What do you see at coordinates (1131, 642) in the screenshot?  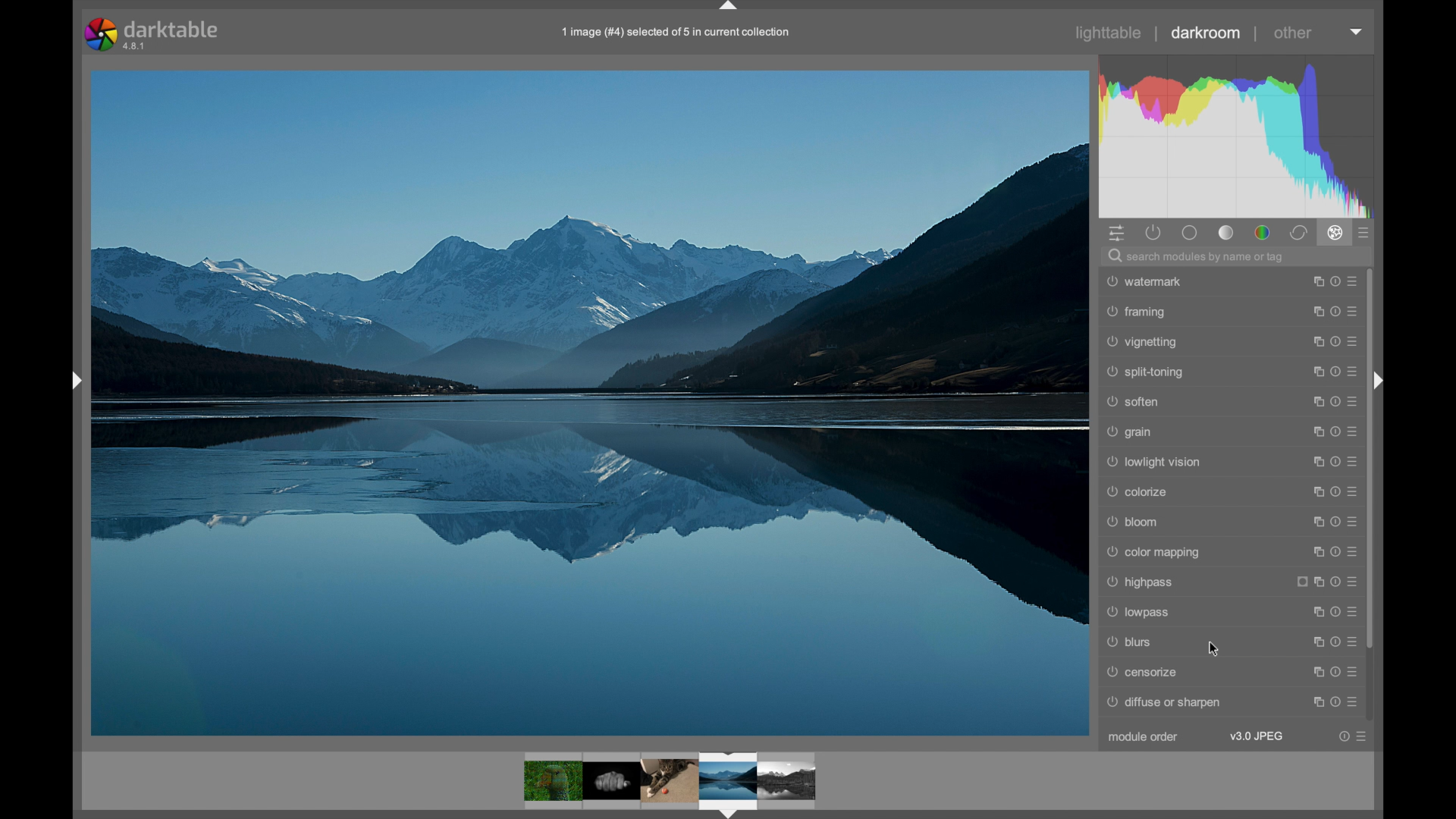 I see `blurs` at bounding box center [1131, 642].